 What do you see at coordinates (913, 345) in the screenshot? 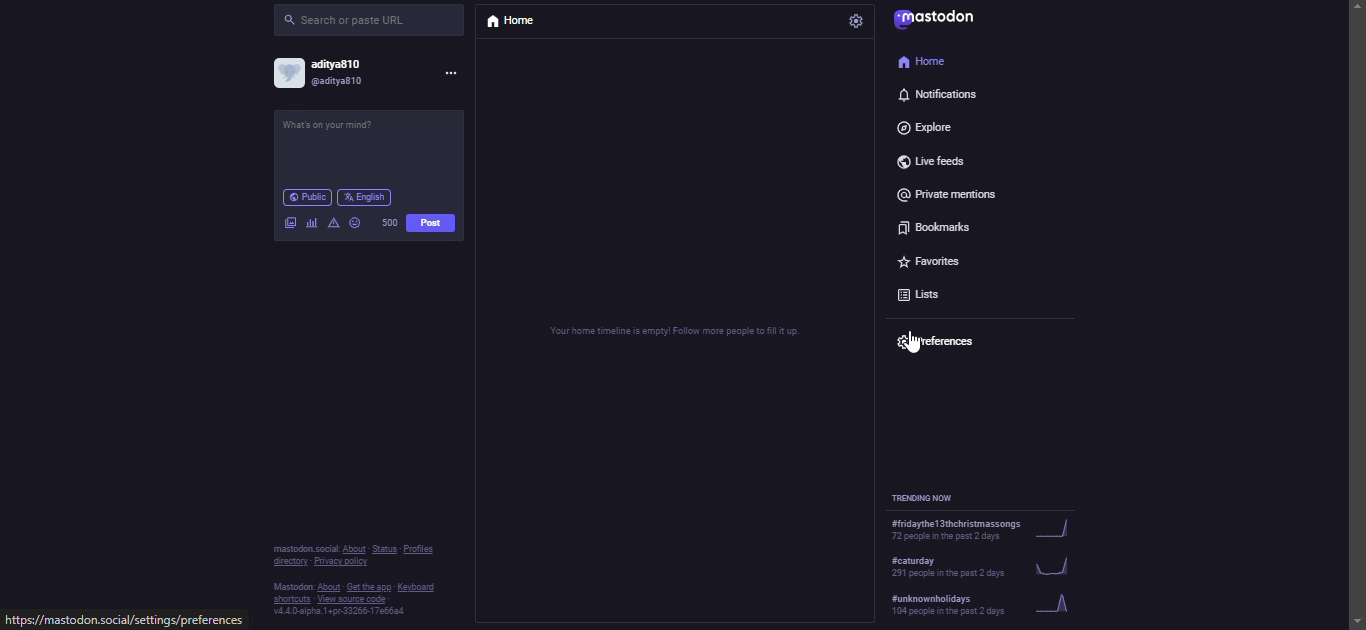
I see `cursor` at bounding box center [913, 345].